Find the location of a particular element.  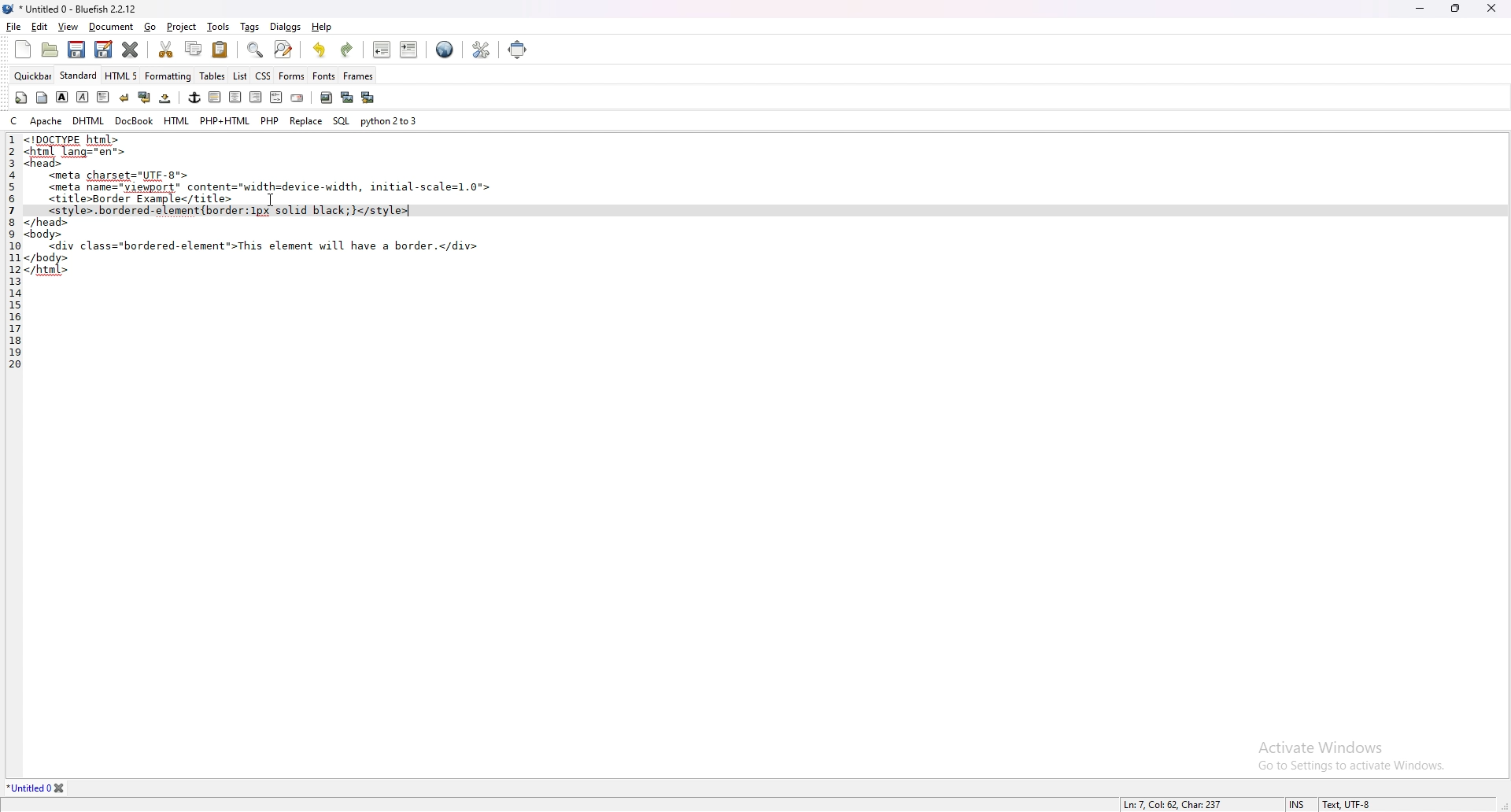

quickbar is located at coordinates (33, 76).